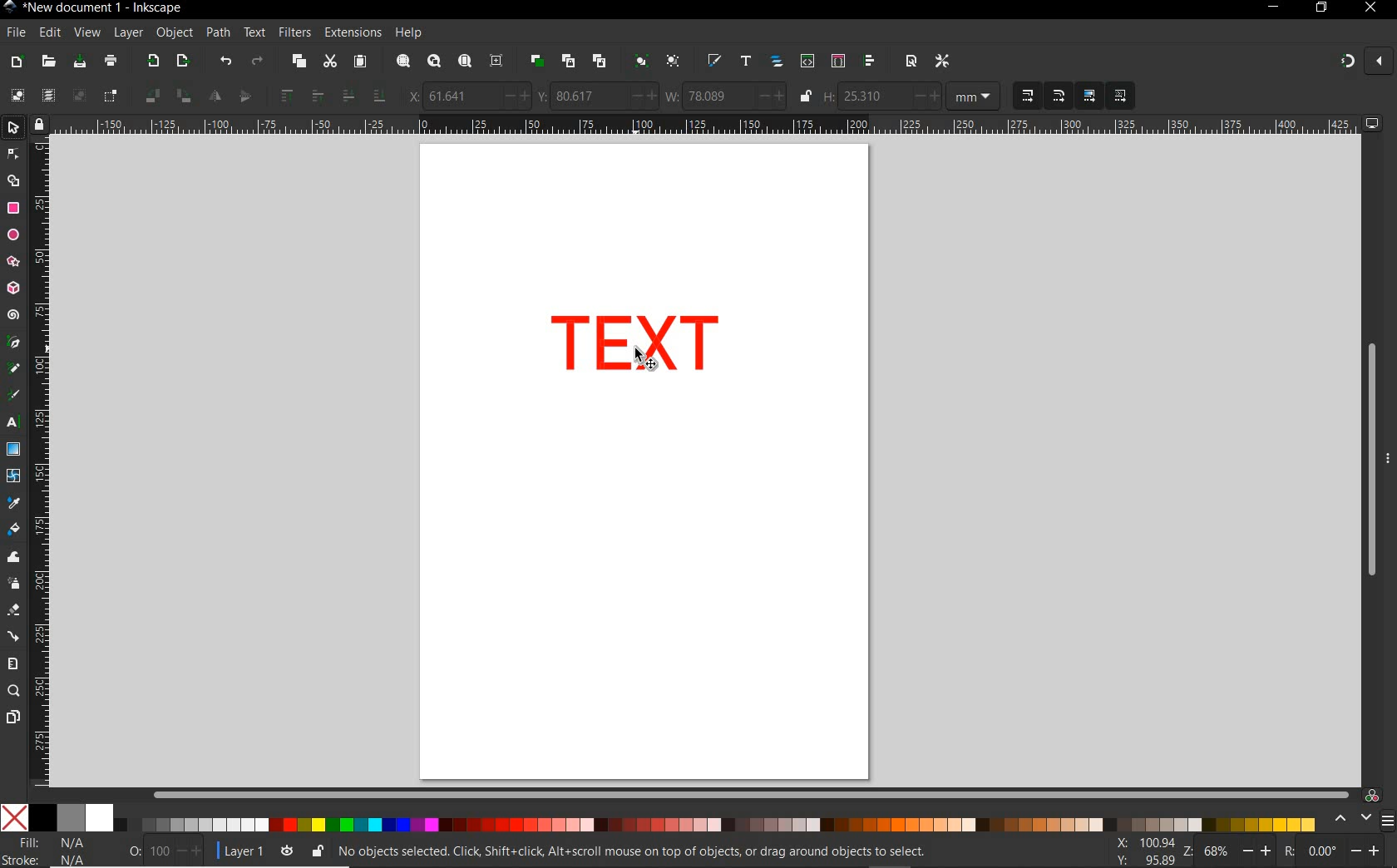  I want to click on import, so click(152, 62).